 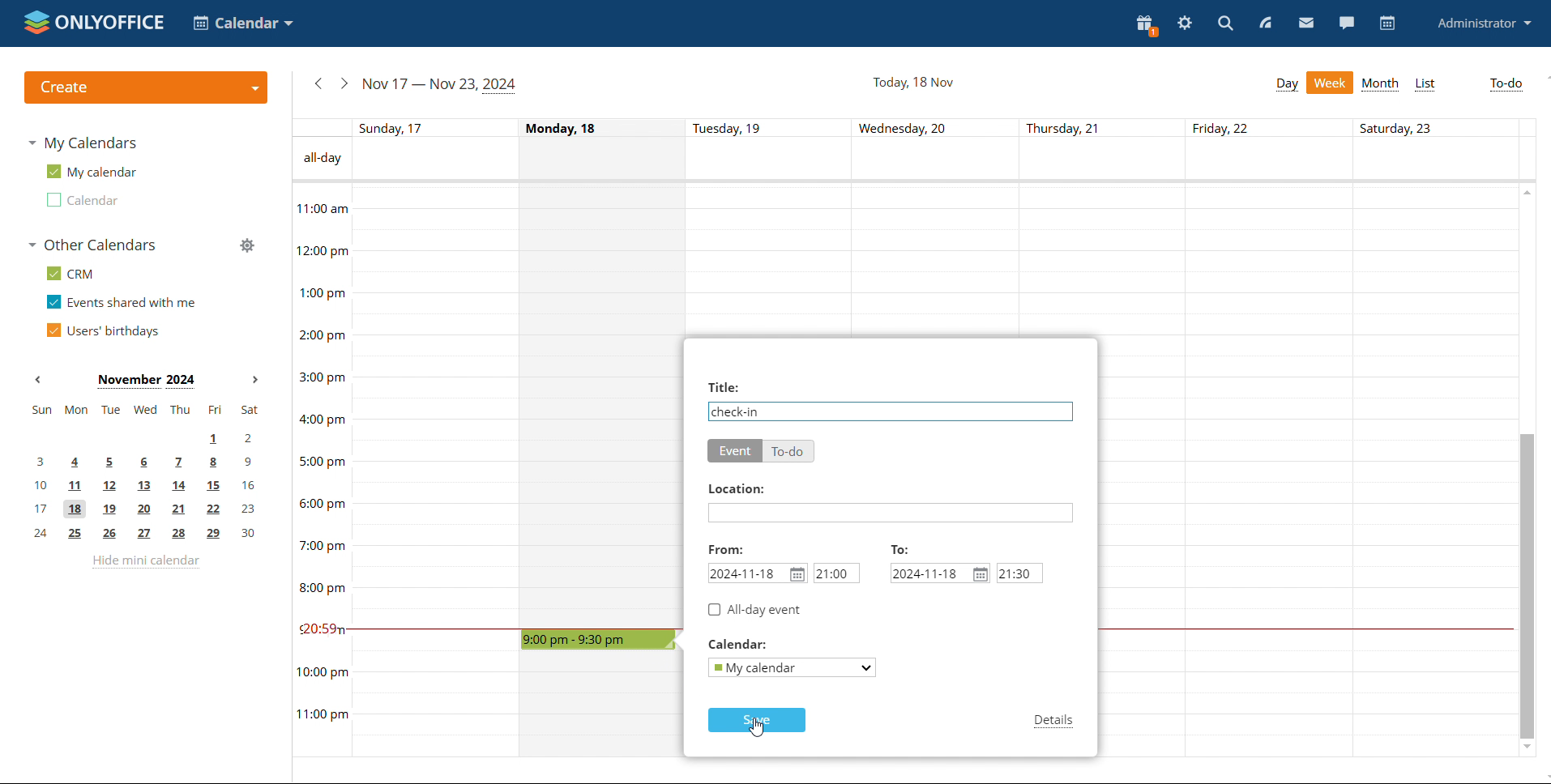 What do you see at coordinates (72, 273) in the screenshot?
I see `crm` at bounding box center [72, 273].